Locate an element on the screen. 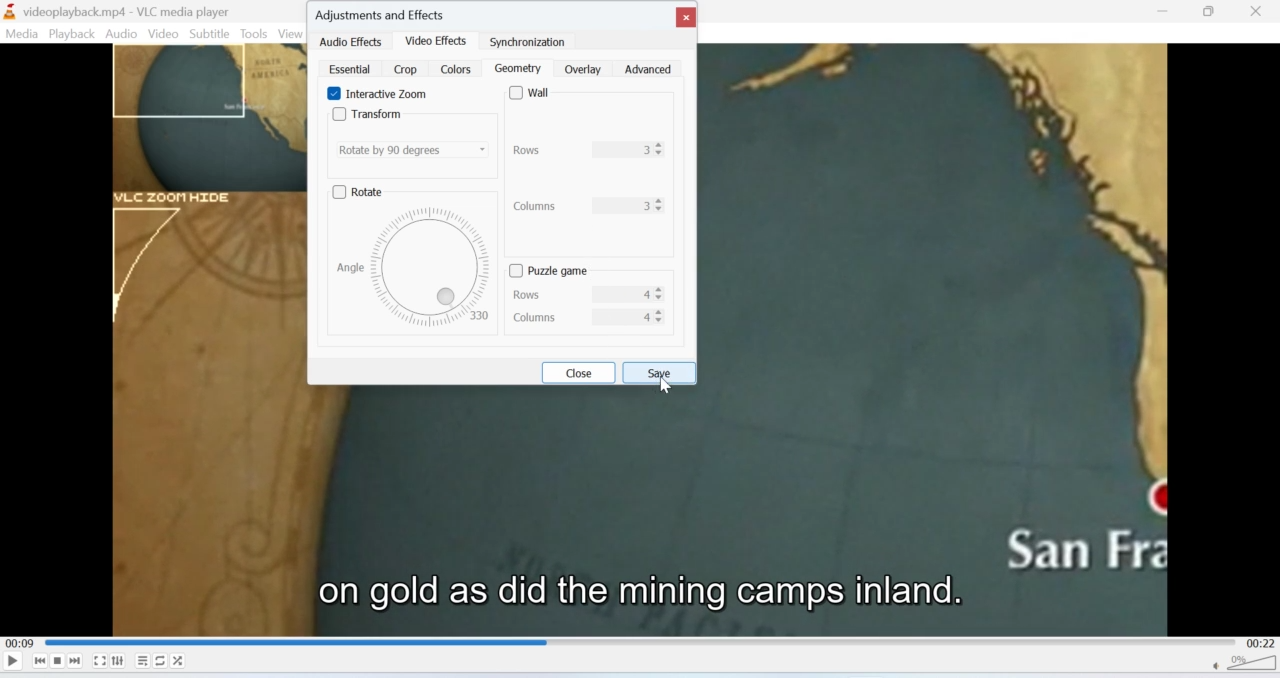 Image resolution: width=1280 pixels, height=678 pixels. Loop is located at coordinates (160, 660).